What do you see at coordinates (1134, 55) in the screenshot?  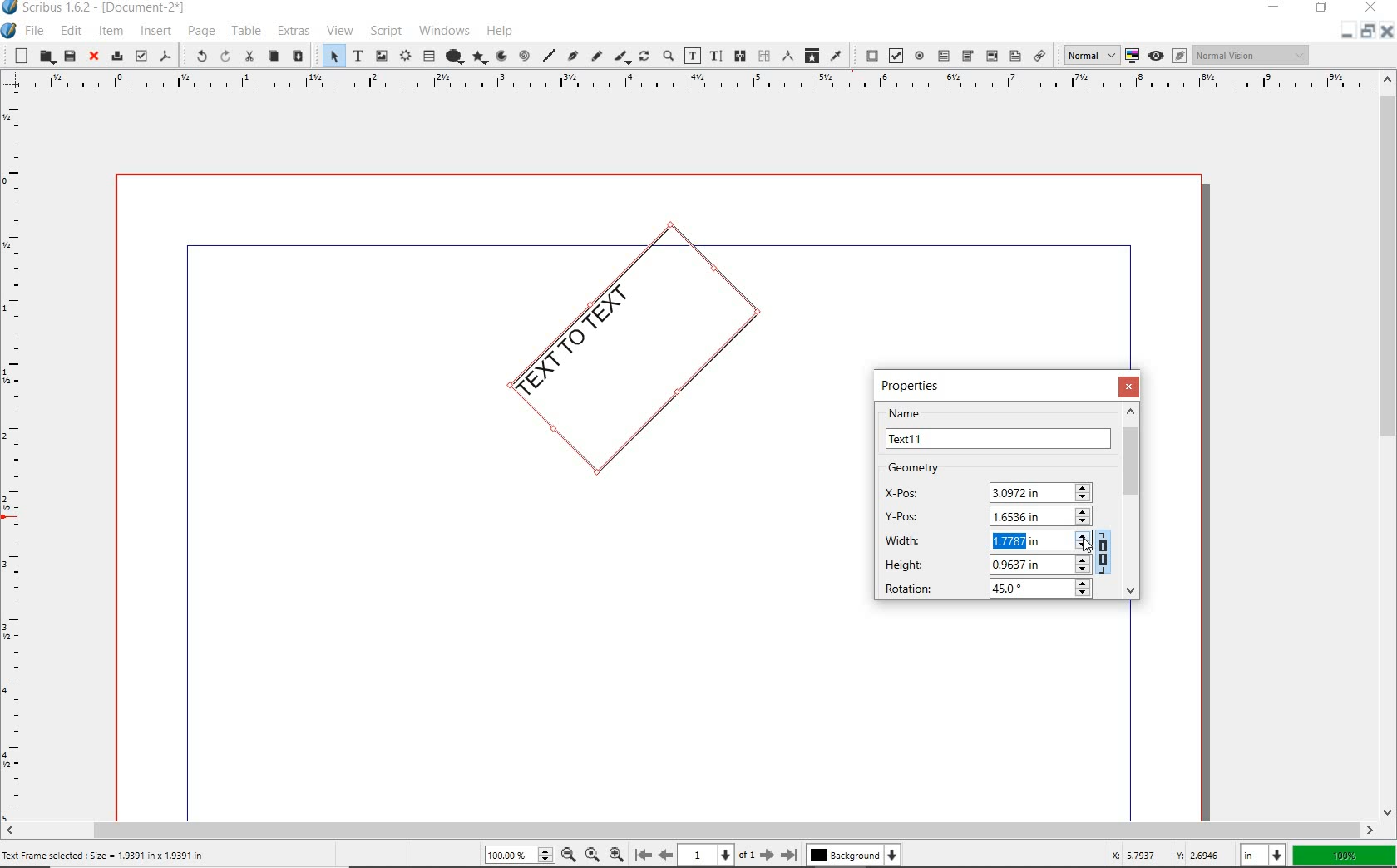 I see `toggle color` at bounding box center [1134, 55].